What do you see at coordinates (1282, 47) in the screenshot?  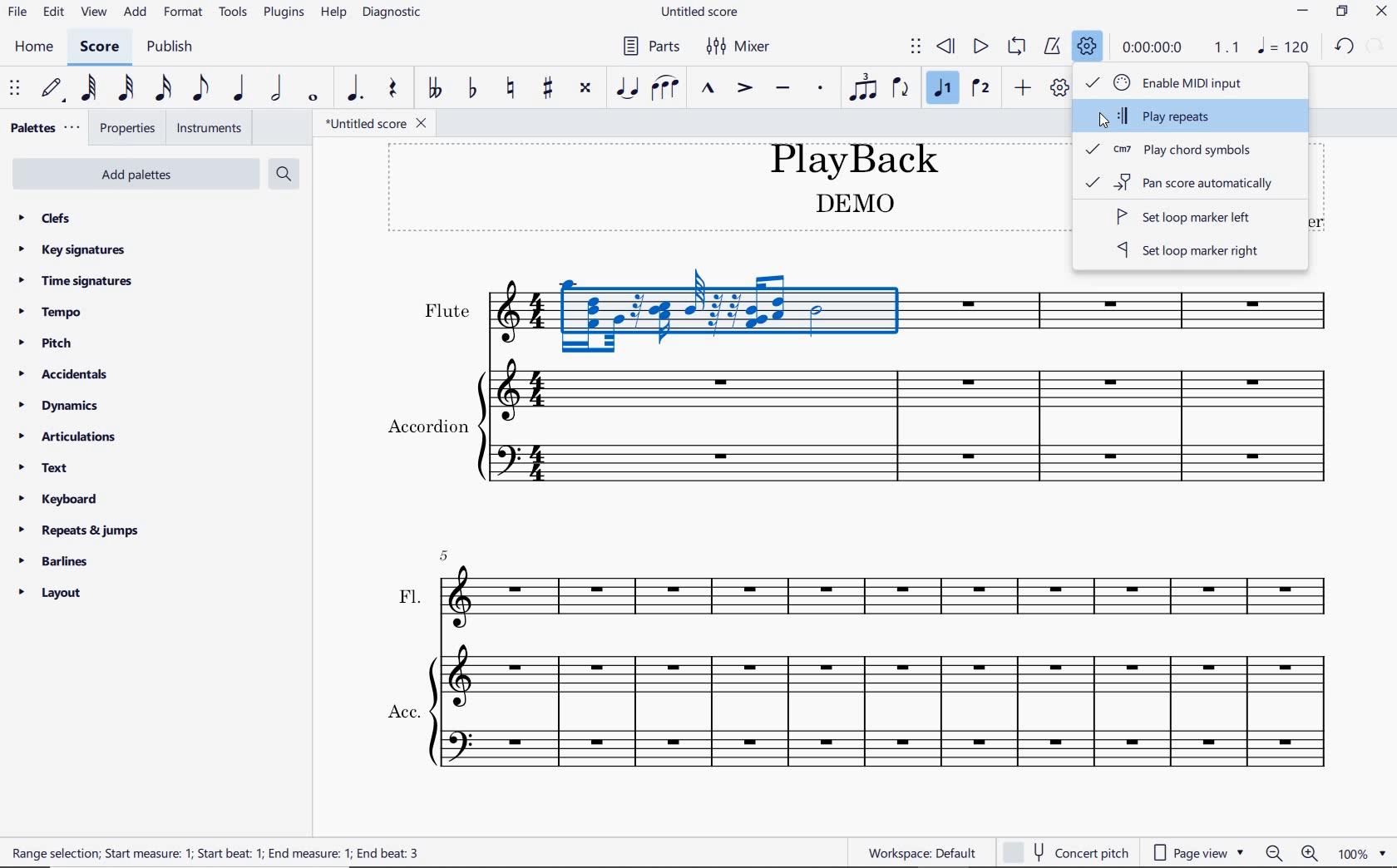 I see `NOTE` at bounding box center [1282, 47].